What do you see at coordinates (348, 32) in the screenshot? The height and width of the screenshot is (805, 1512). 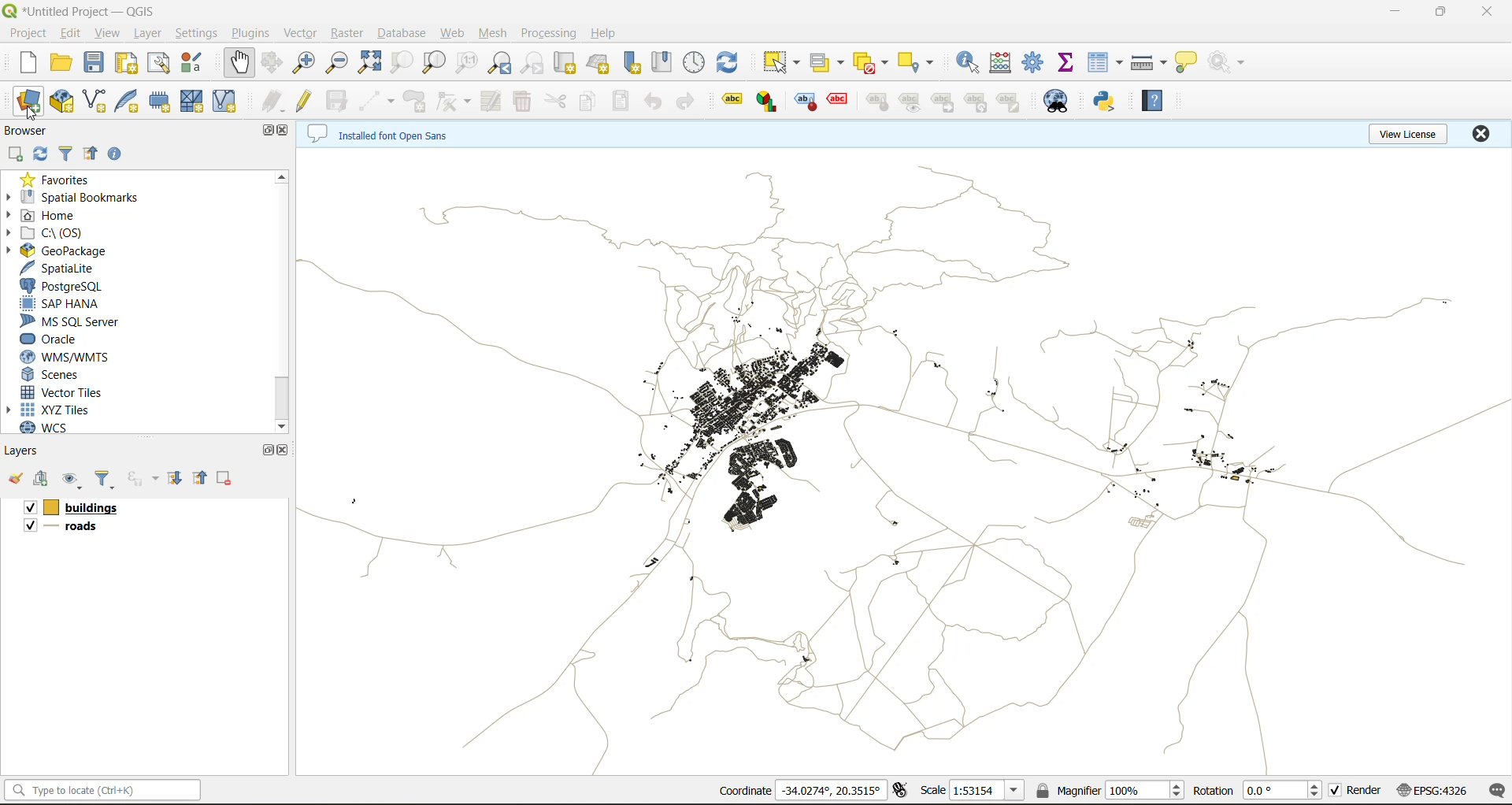 I see `raster` at bounding box center [348, 32].